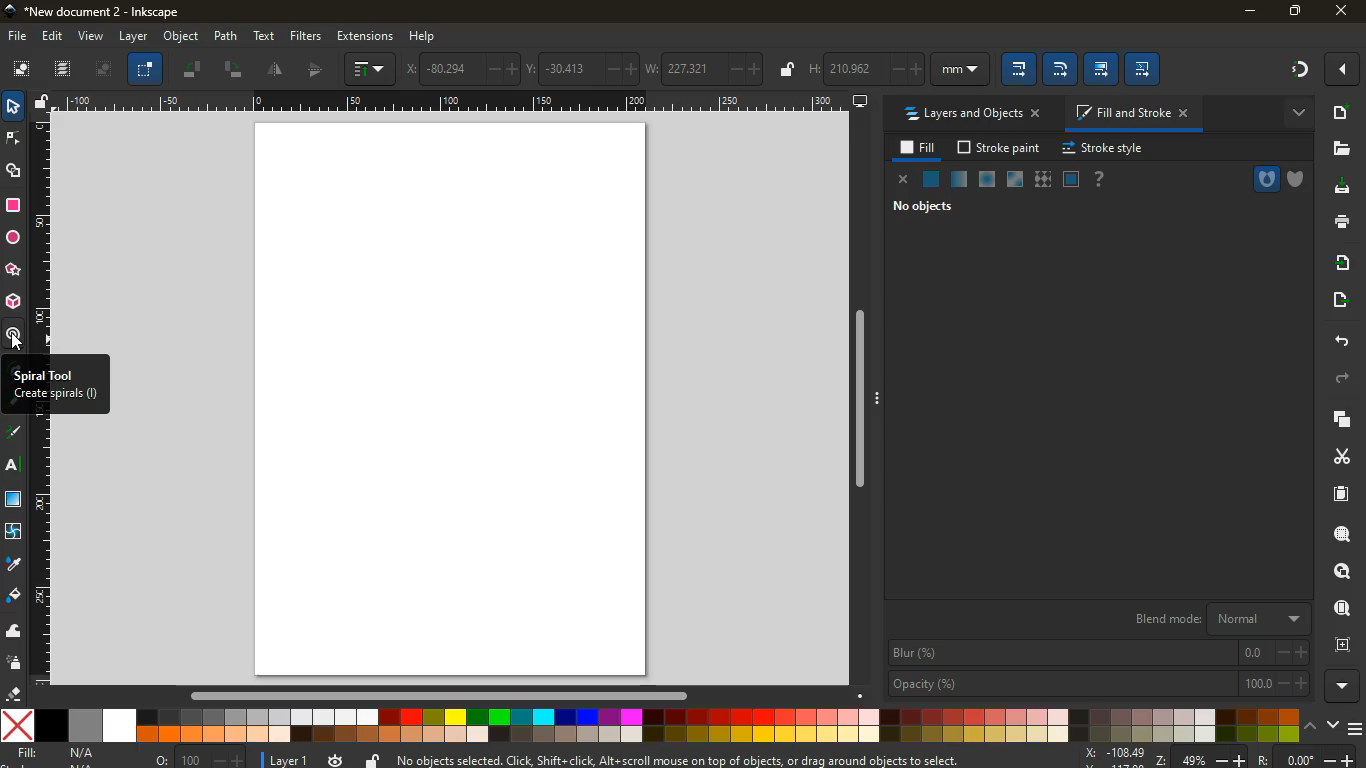 This screenshot has height=768, width=1366. I want to click on gradient, so click(1302, 70).